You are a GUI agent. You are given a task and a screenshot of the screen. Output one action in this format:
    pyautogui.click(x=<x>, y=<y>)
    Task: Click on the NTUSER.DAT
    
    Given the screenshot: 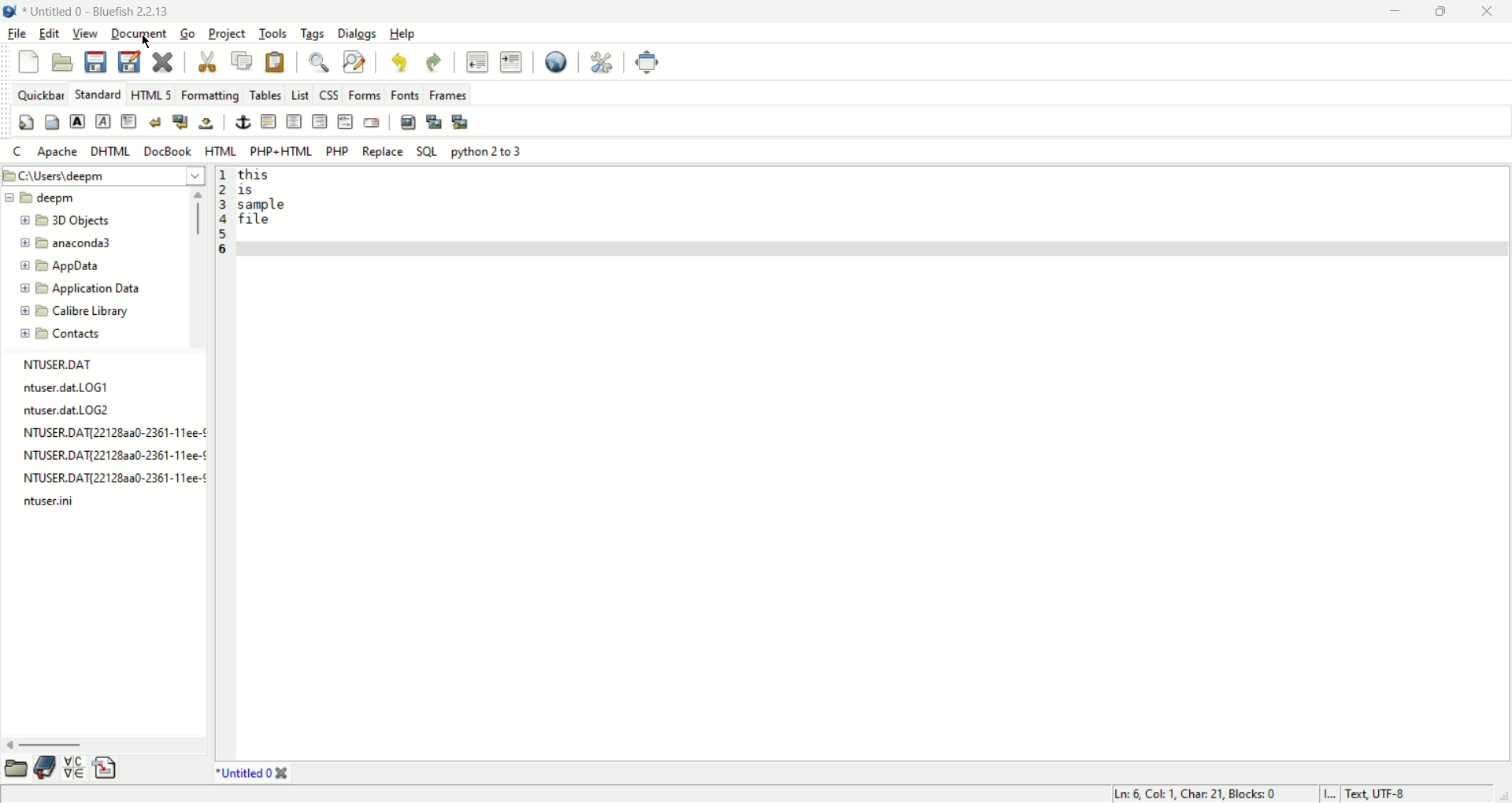 What is the action you would take?
    pyautogui.click(x=56, y=364)
    